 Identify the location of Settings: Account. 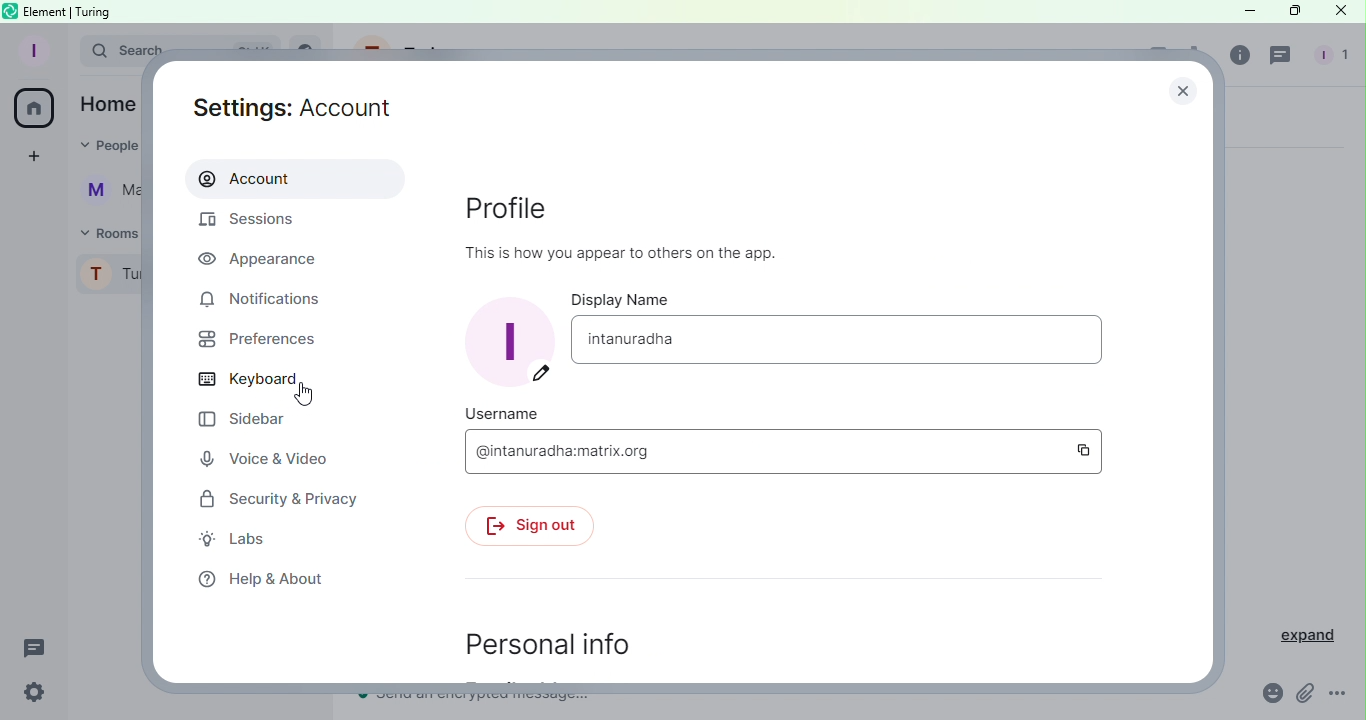
(305, 107).